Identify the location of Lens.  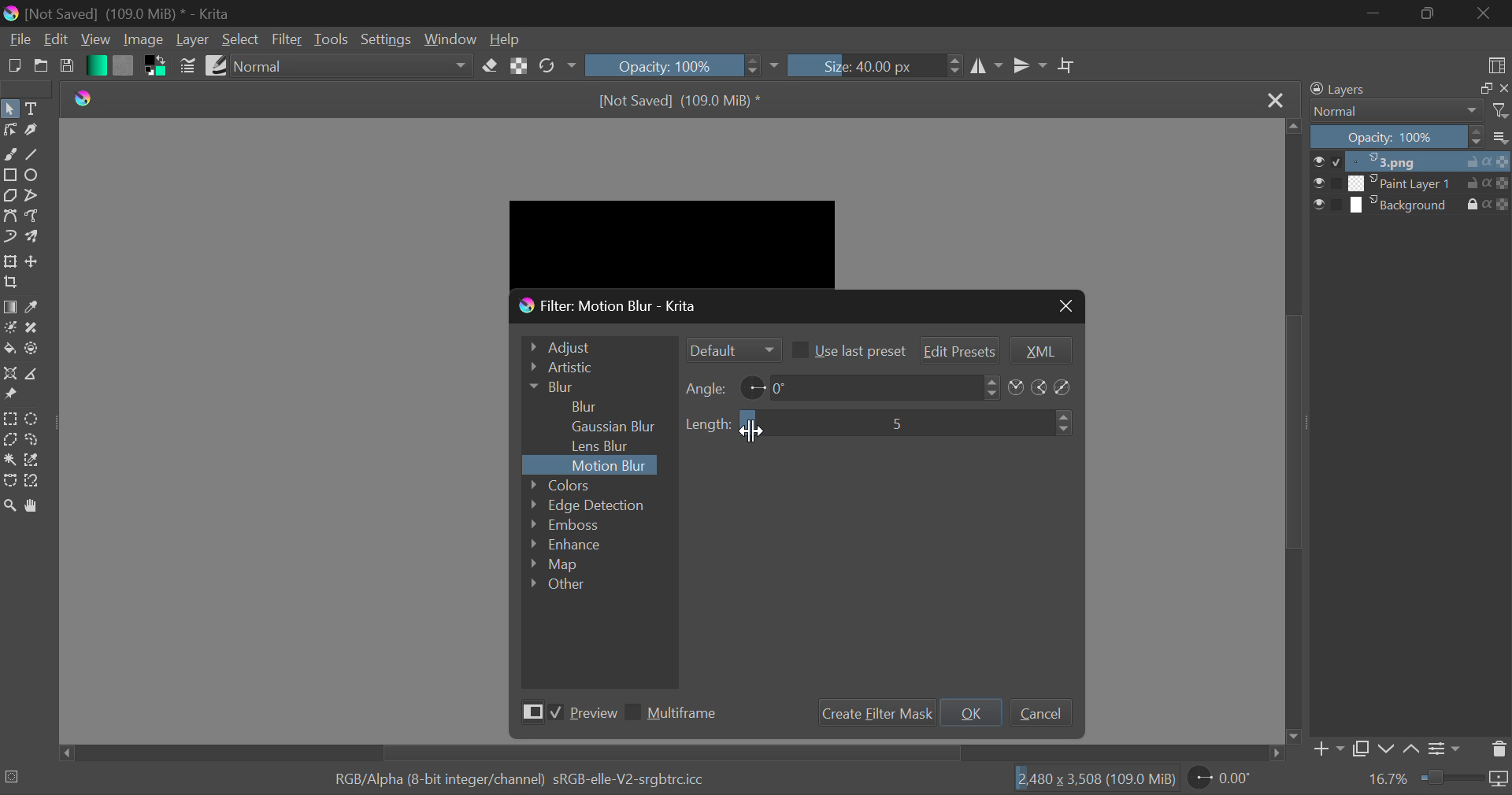
(606, 446).